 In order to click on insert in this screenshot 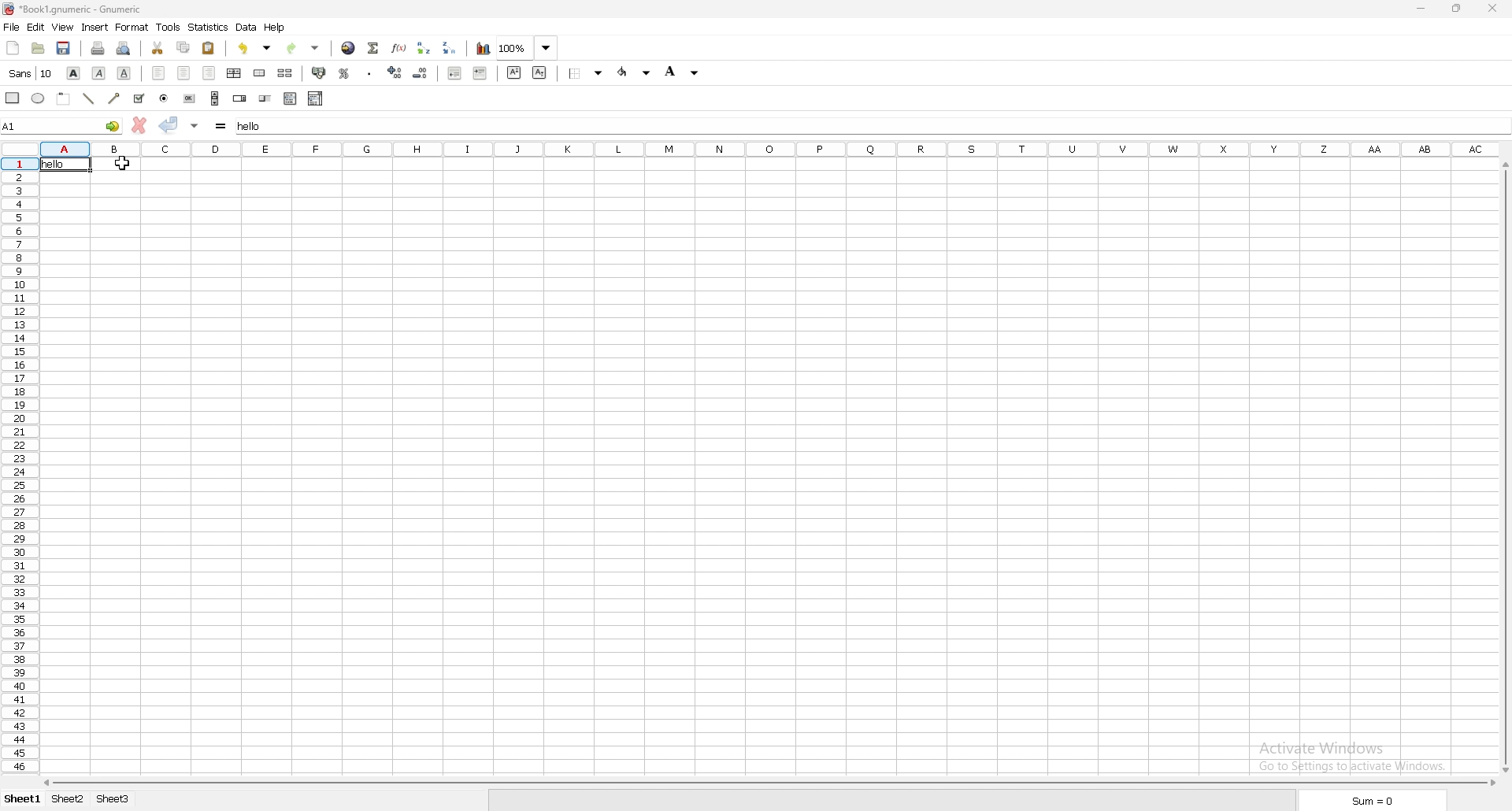, I will do `click(94, 28)`.